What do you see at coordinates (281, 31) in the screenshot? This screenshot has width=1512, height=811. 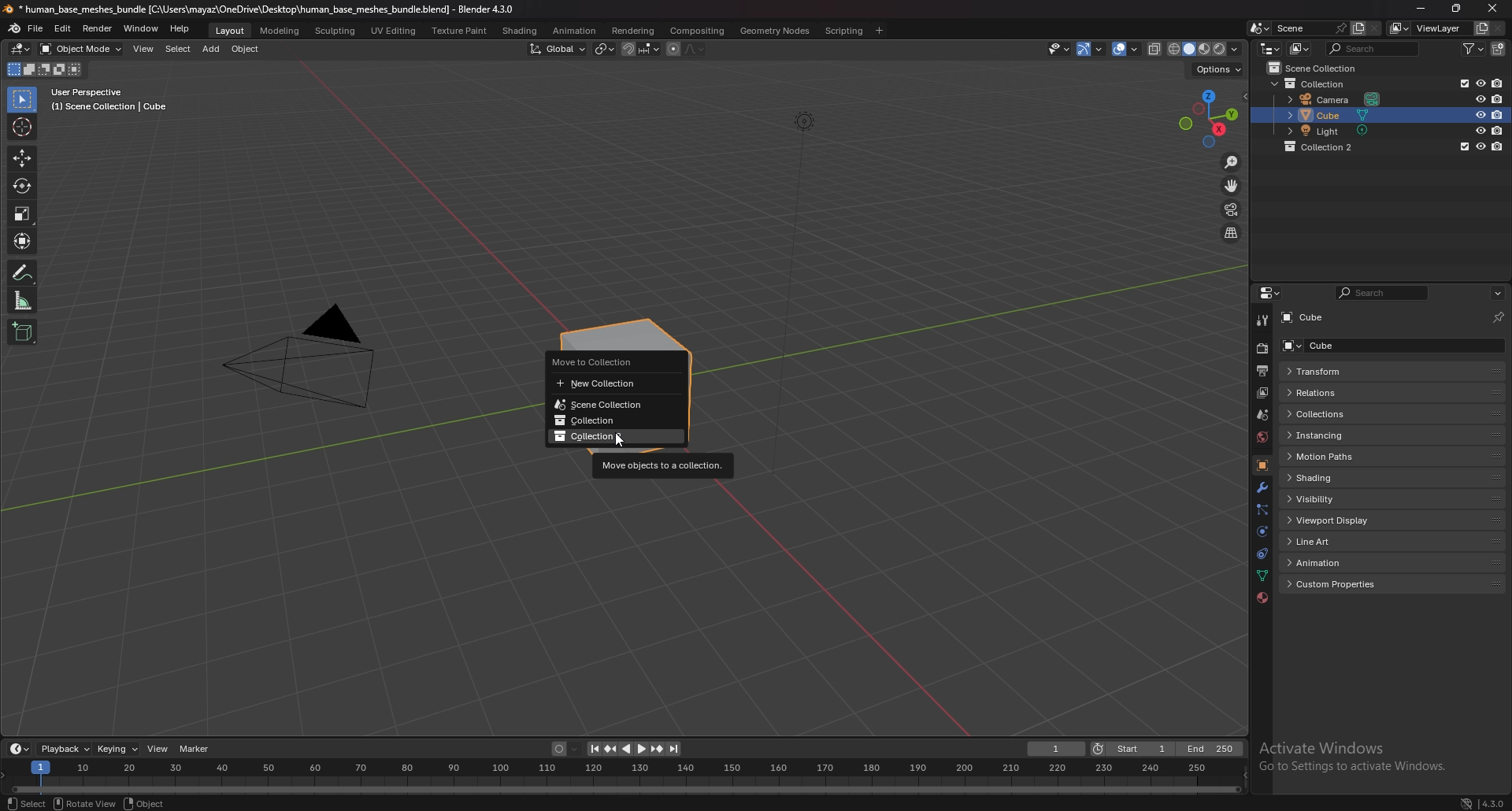 I see `modeling` at bounding box center [281, 31].